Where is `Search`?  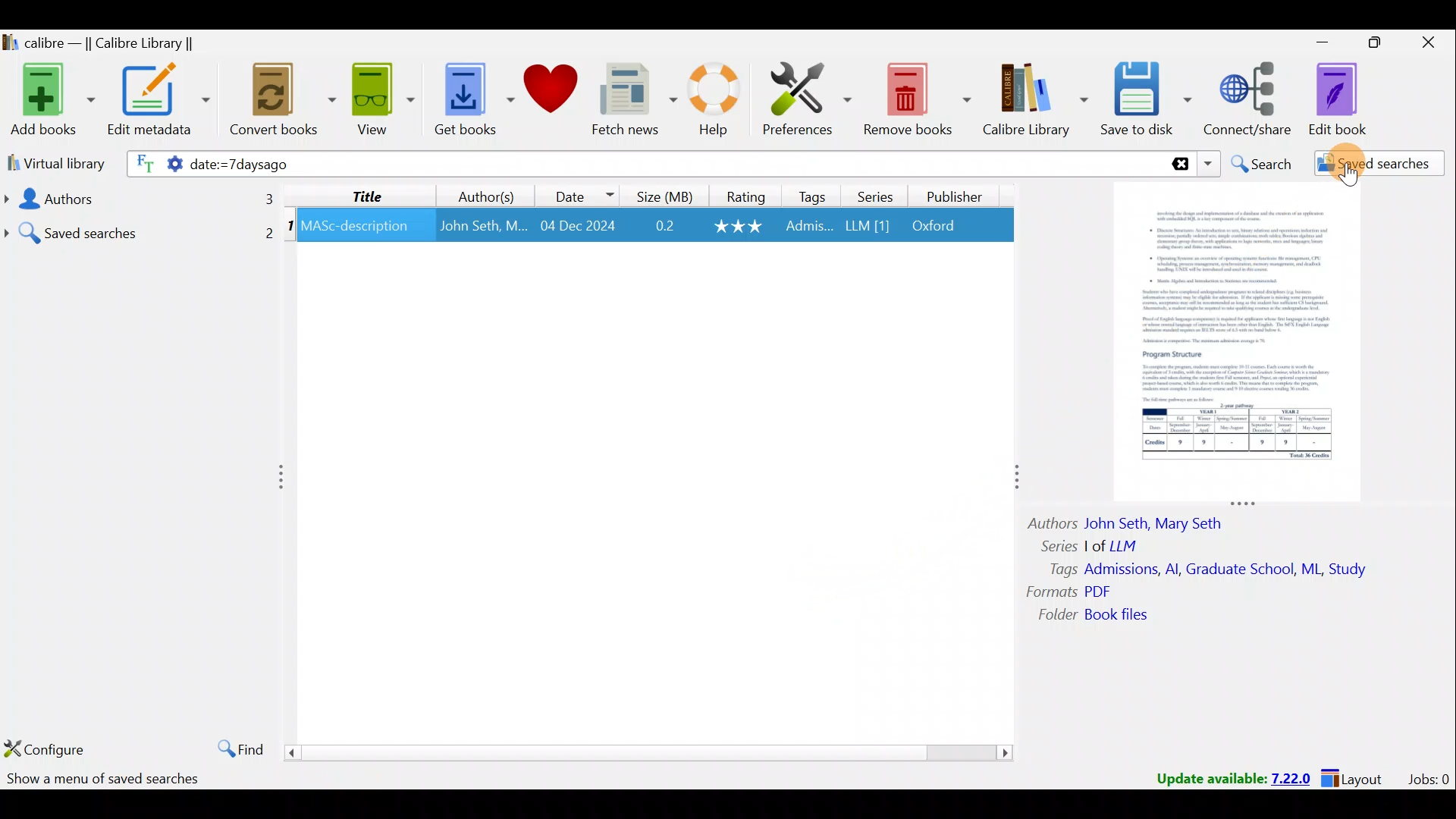 Search is located at coordinates (1260, 162).